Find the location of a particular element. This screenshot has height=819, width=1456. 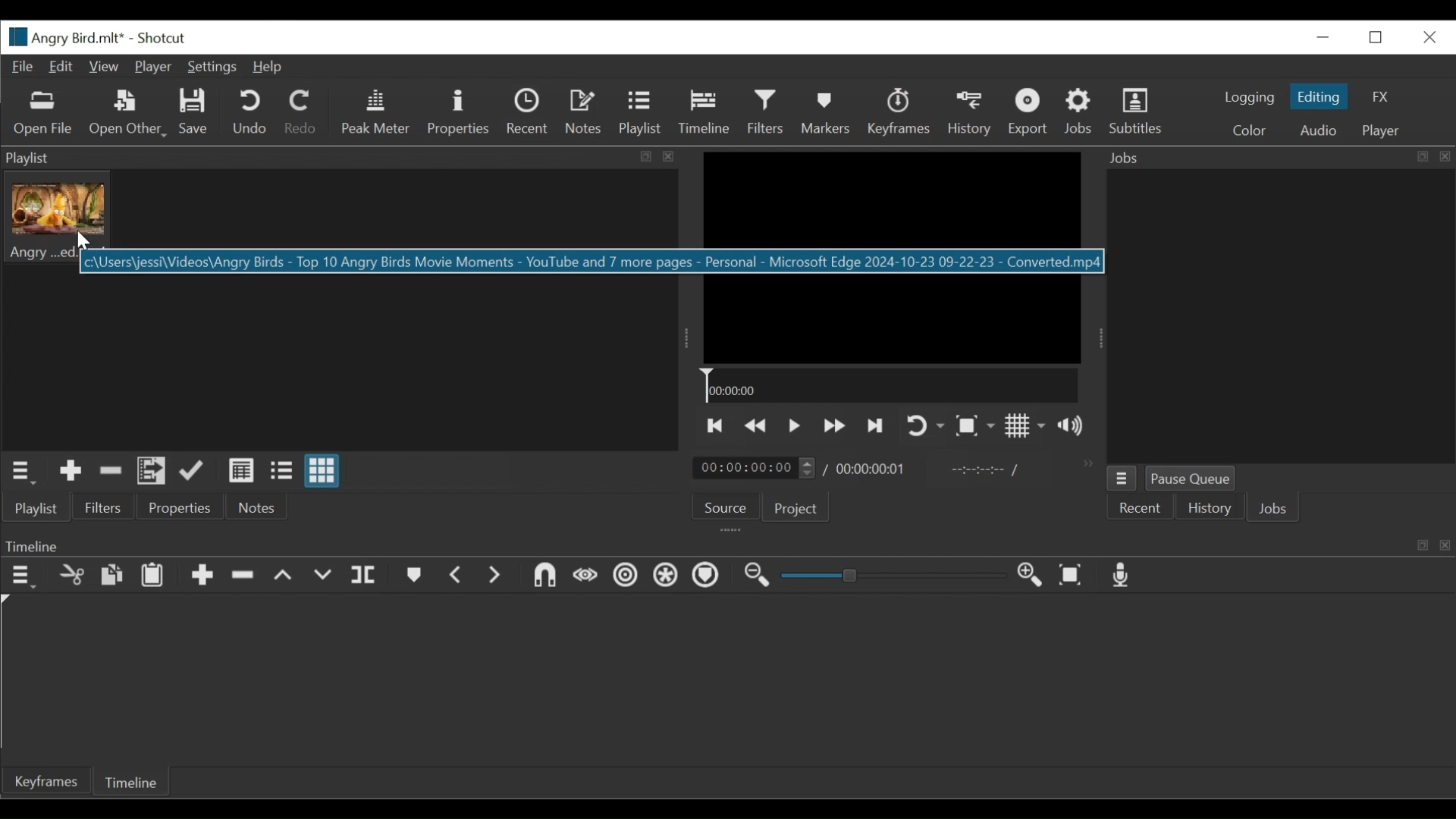

Zoom timeline in is located at coordinates (1026, 573).